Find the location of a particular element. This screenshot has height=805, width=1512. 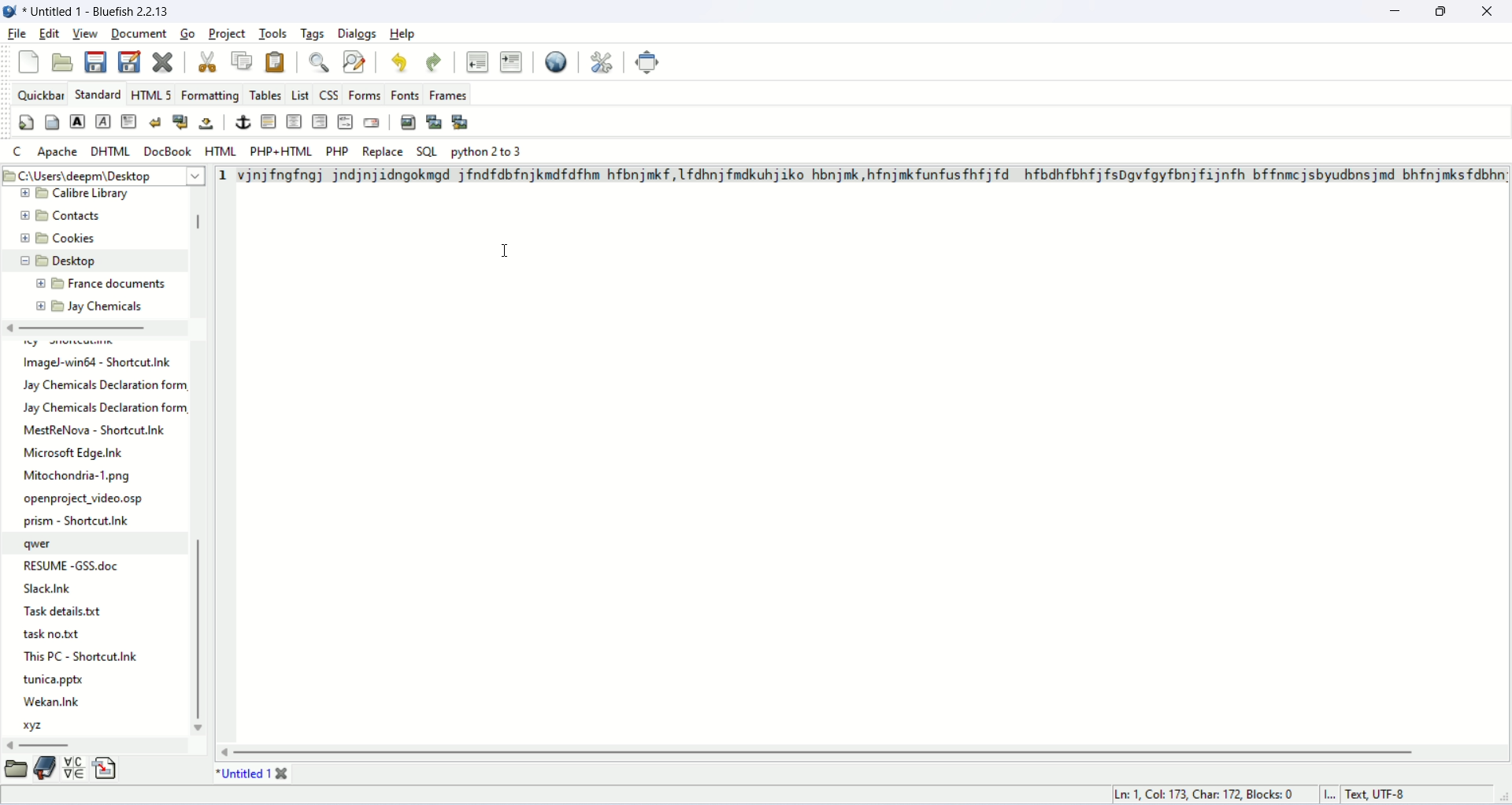

save as is located at coordinates (128, 61).